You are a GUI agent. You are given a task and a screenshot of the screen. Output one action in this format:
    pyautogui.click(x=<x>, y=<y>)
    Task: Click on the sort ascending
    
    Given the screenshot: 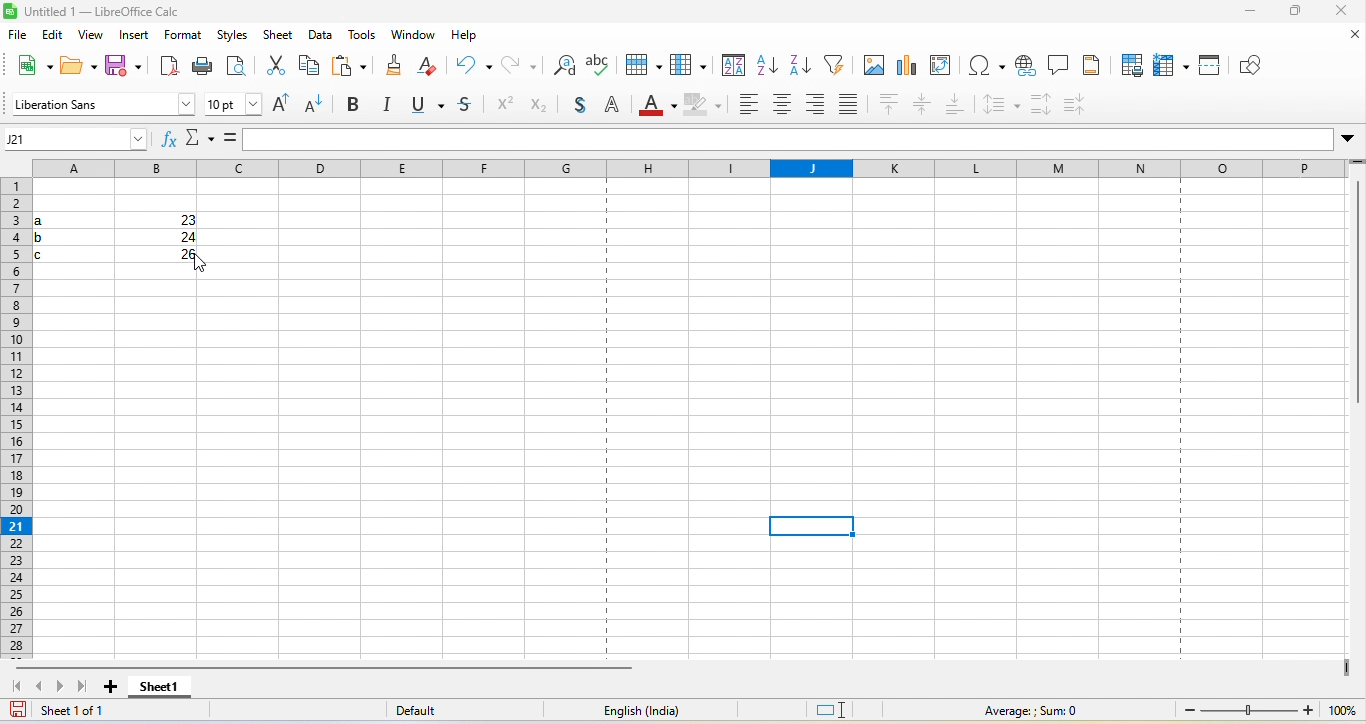 What is the action you would take?
    pyautogui.click(x=766, y=66)
    